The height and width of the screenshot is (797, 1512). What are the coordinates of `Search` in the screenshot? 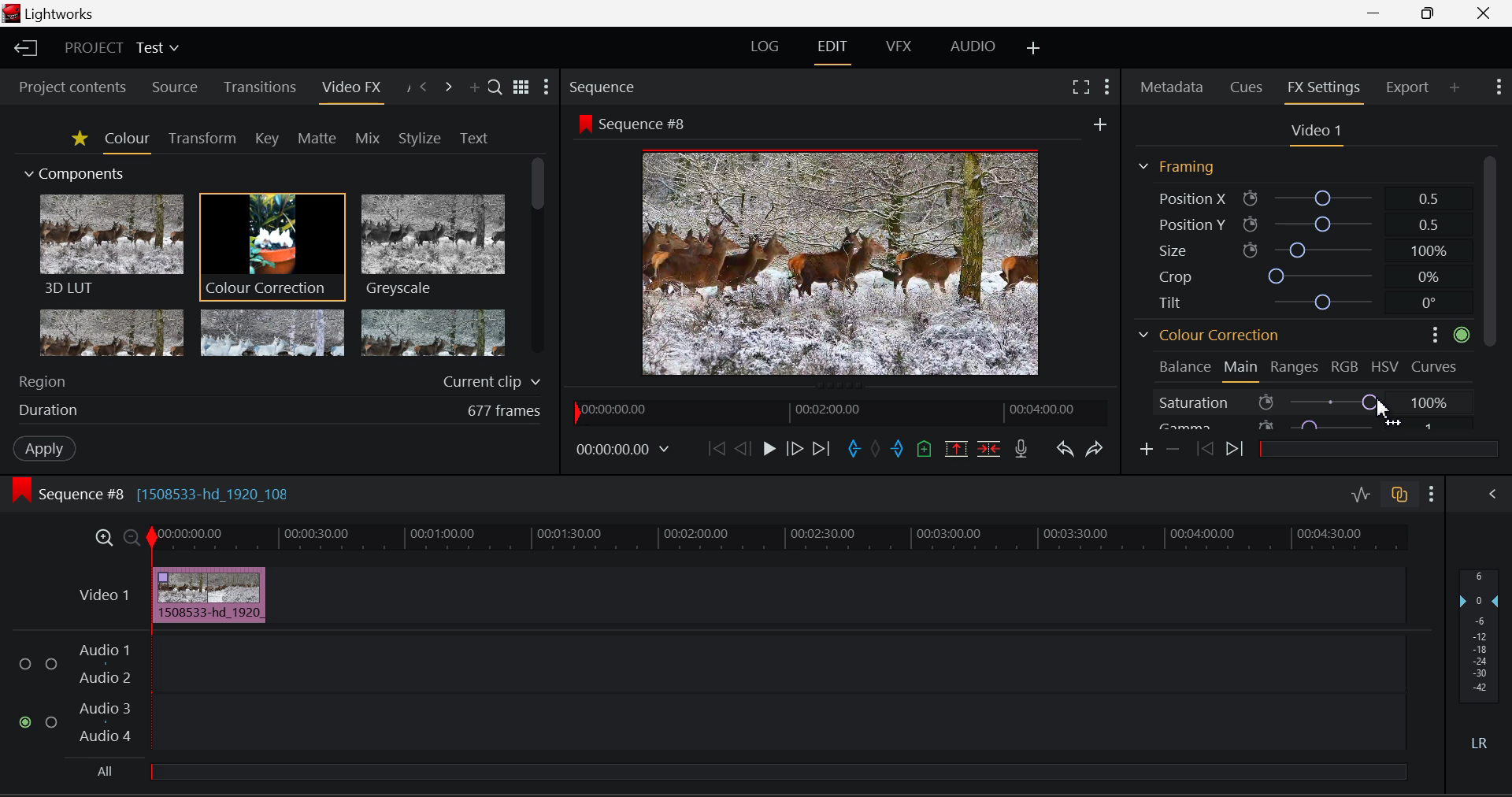 It's located at (492, 84).